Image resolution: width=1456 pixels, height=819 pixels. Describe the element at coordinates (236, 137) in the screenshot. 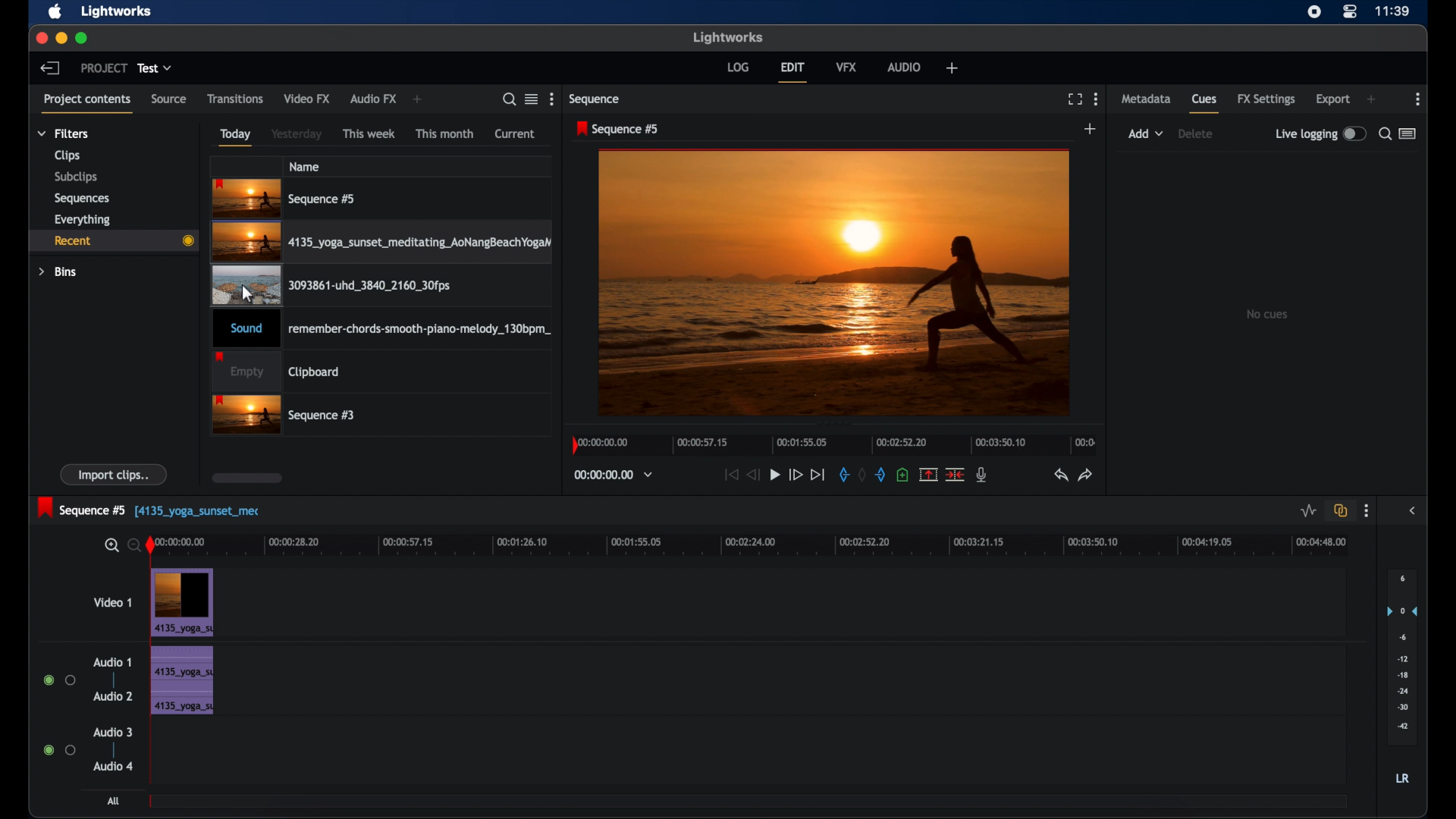

I see `today` at that location.